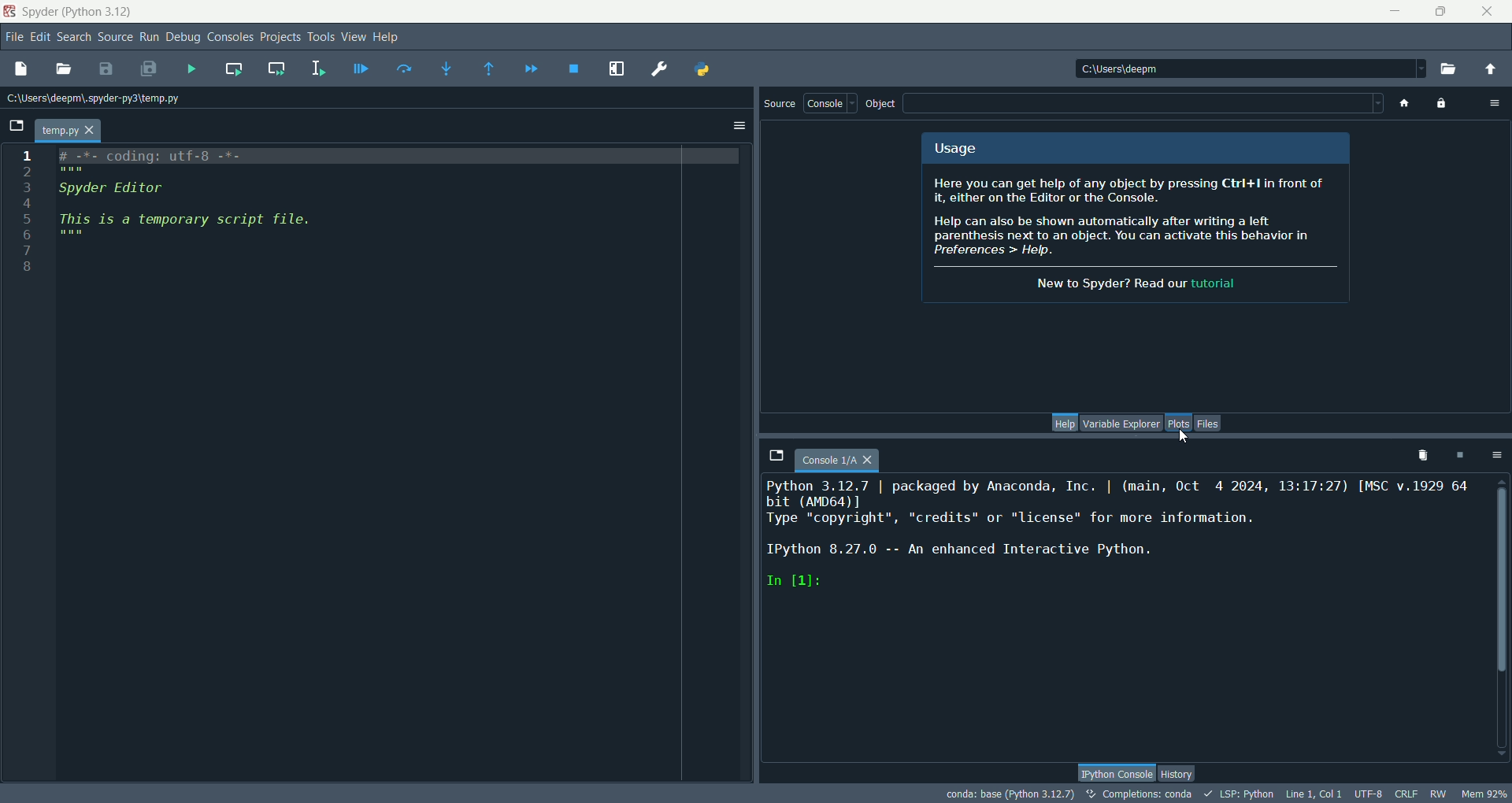  I want to click on source, so click(116, 39).